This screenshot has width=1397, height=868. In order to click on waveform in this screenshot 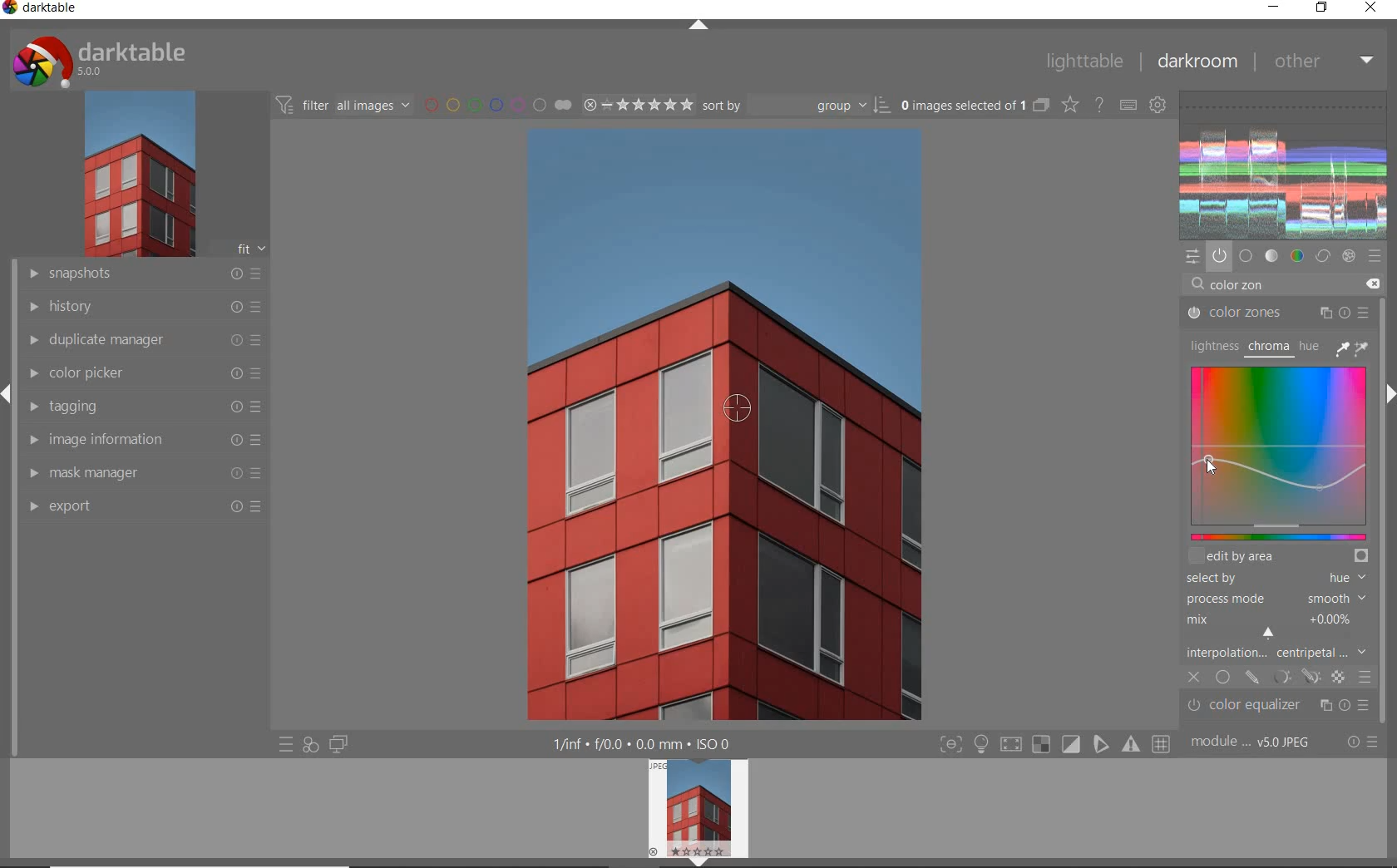, I will do `click(1285, 163)`.